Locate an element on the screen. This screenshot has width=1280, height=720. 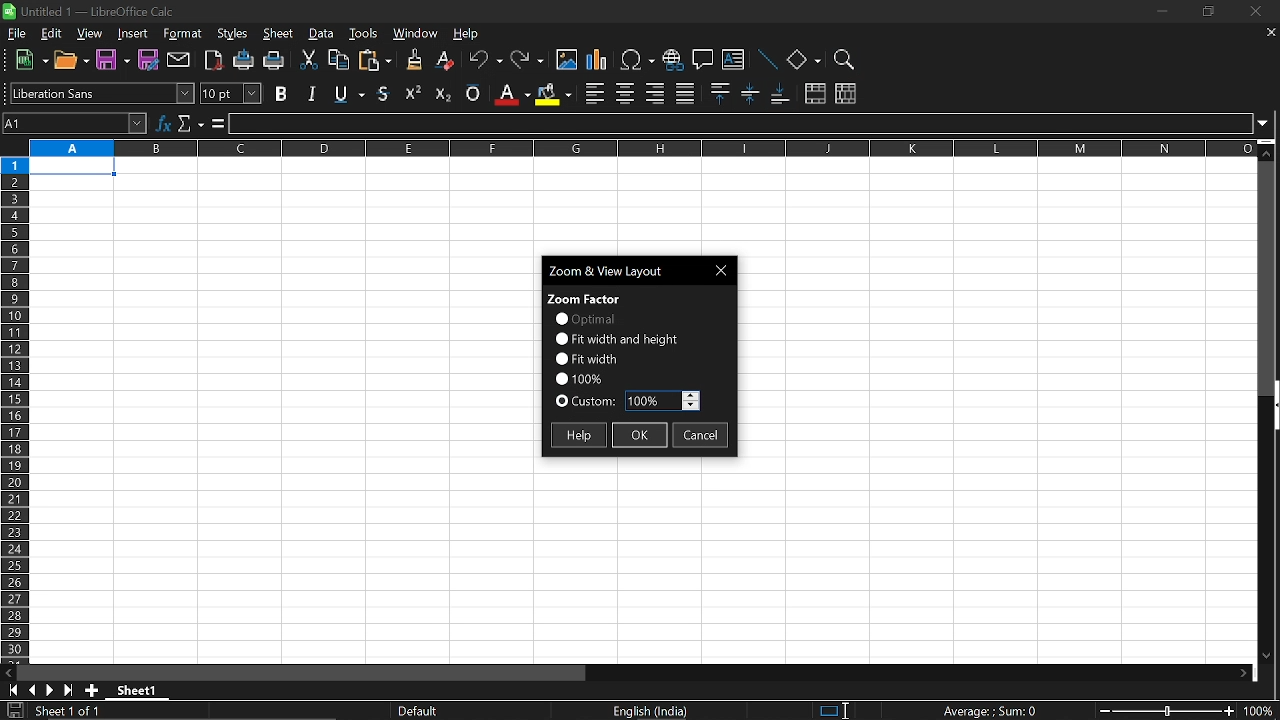
format is located at coordinates (182, 35).